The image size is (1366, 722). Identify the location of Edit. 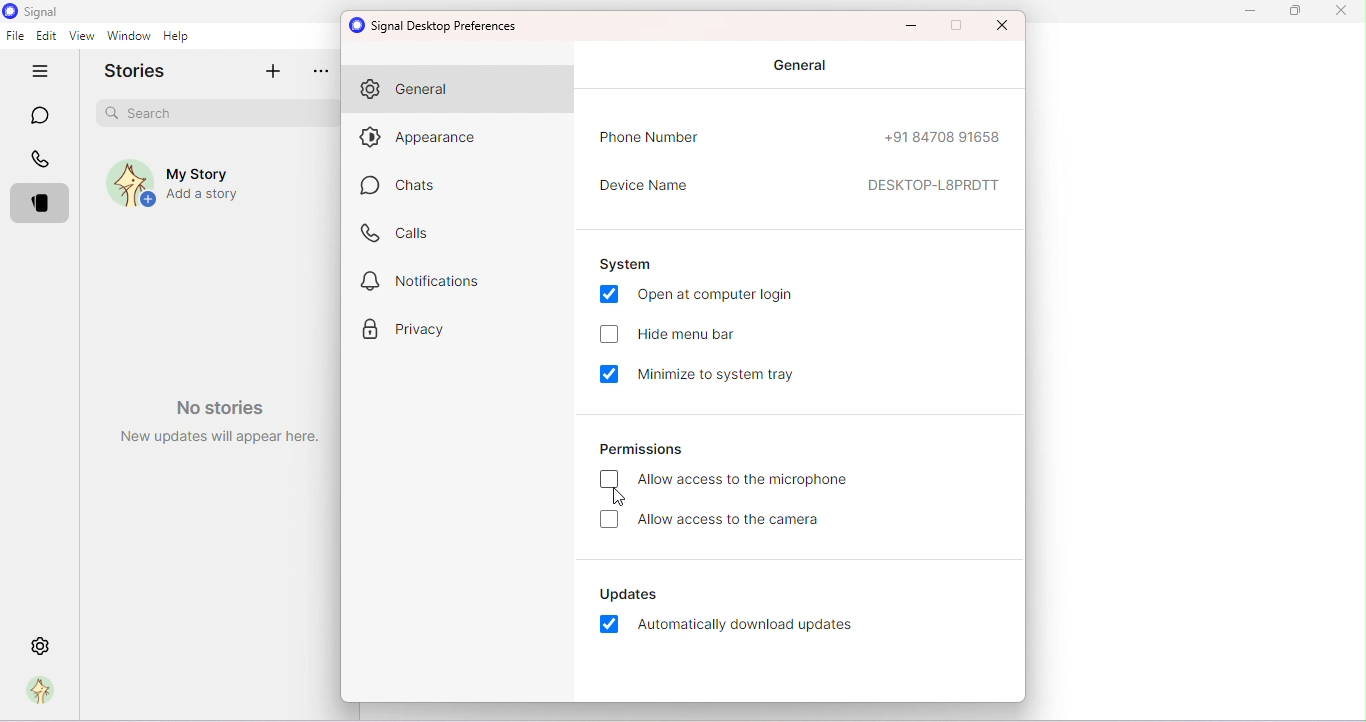
(48, 38).